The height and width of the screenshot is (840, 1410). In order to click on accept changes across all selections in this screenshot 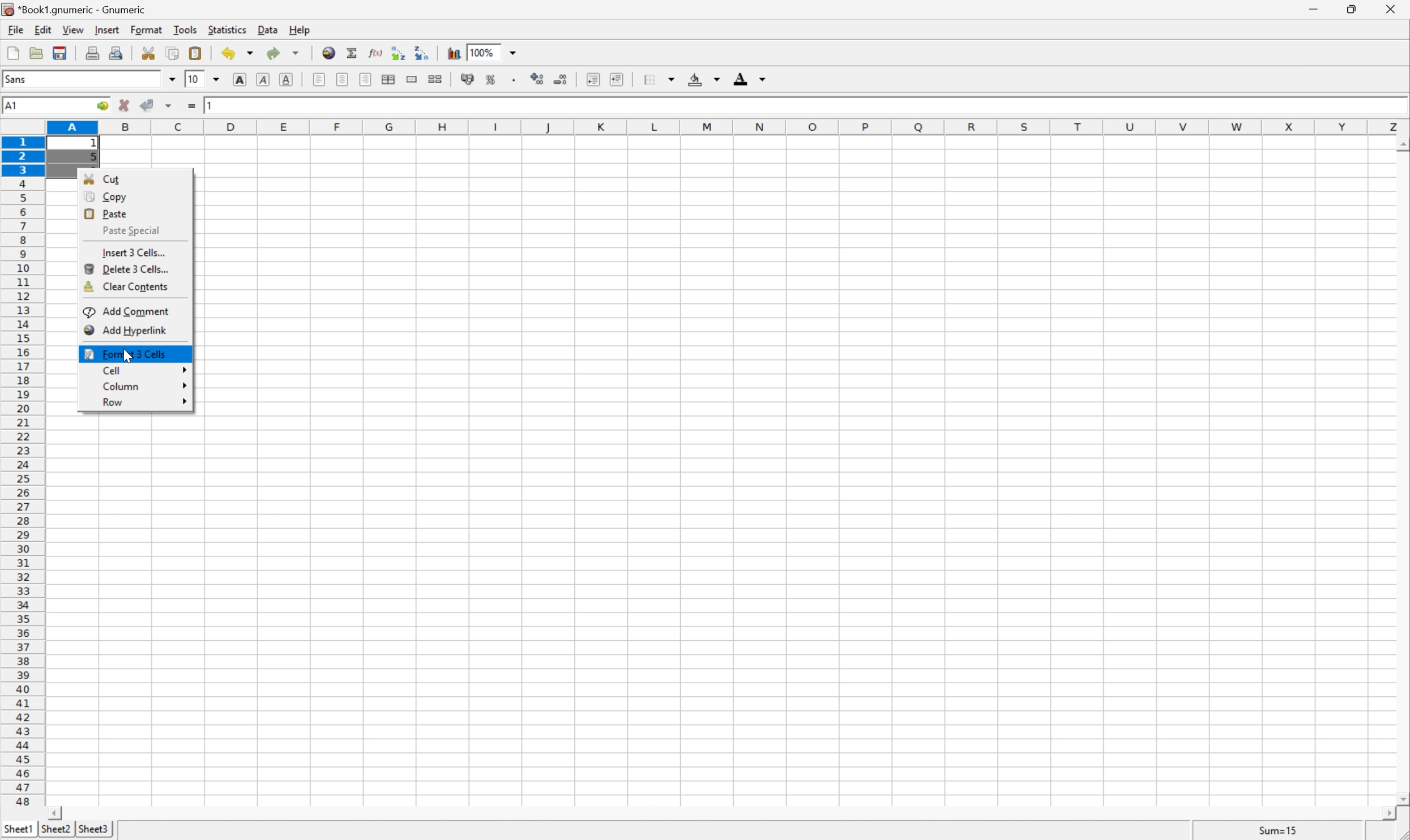, I will do `click(169, 106)`.